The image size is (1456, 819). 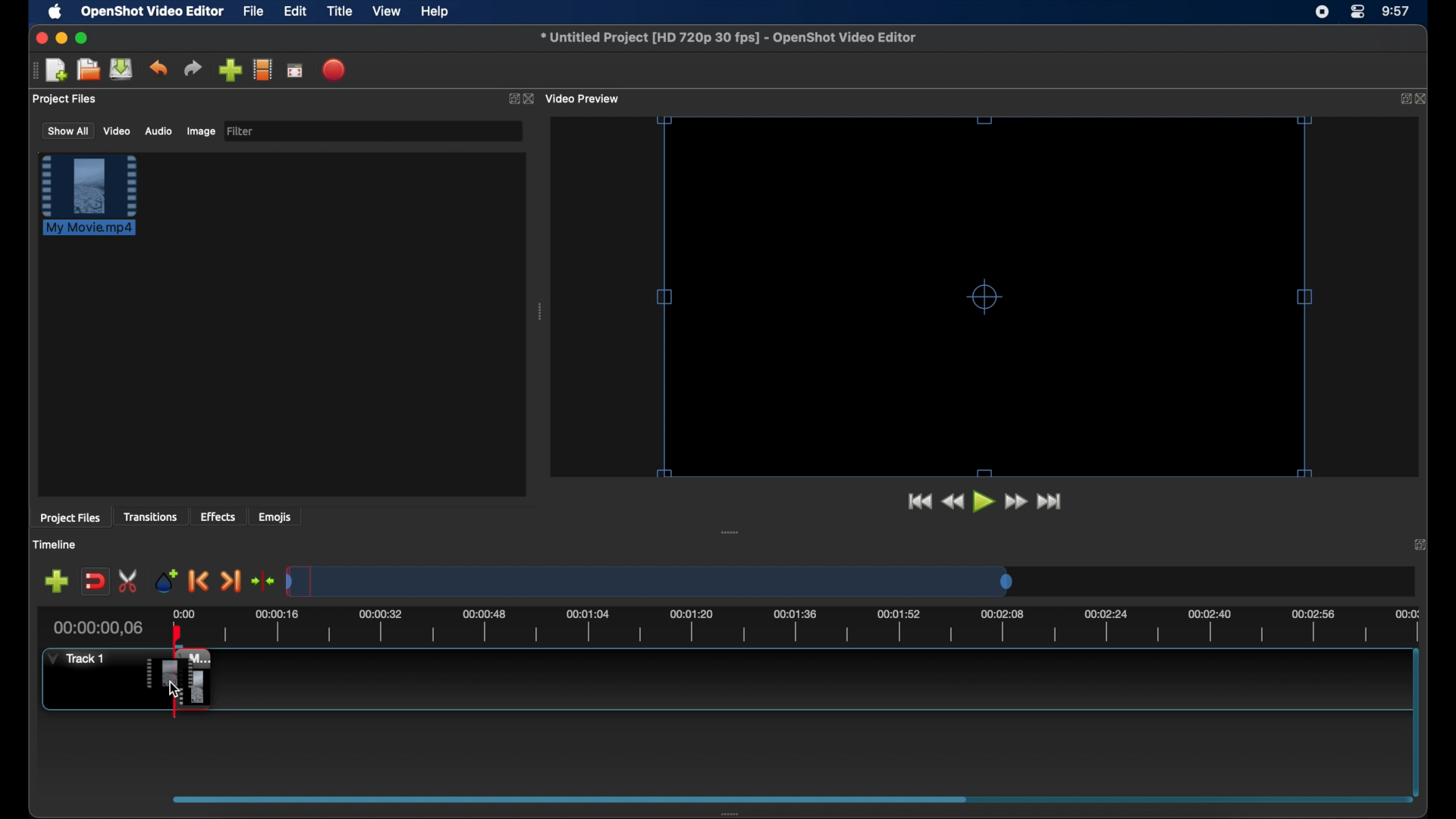 What do you see at coordinates (39, 38) in the screenshot?
I see `close` at bounding box center [39, 38].